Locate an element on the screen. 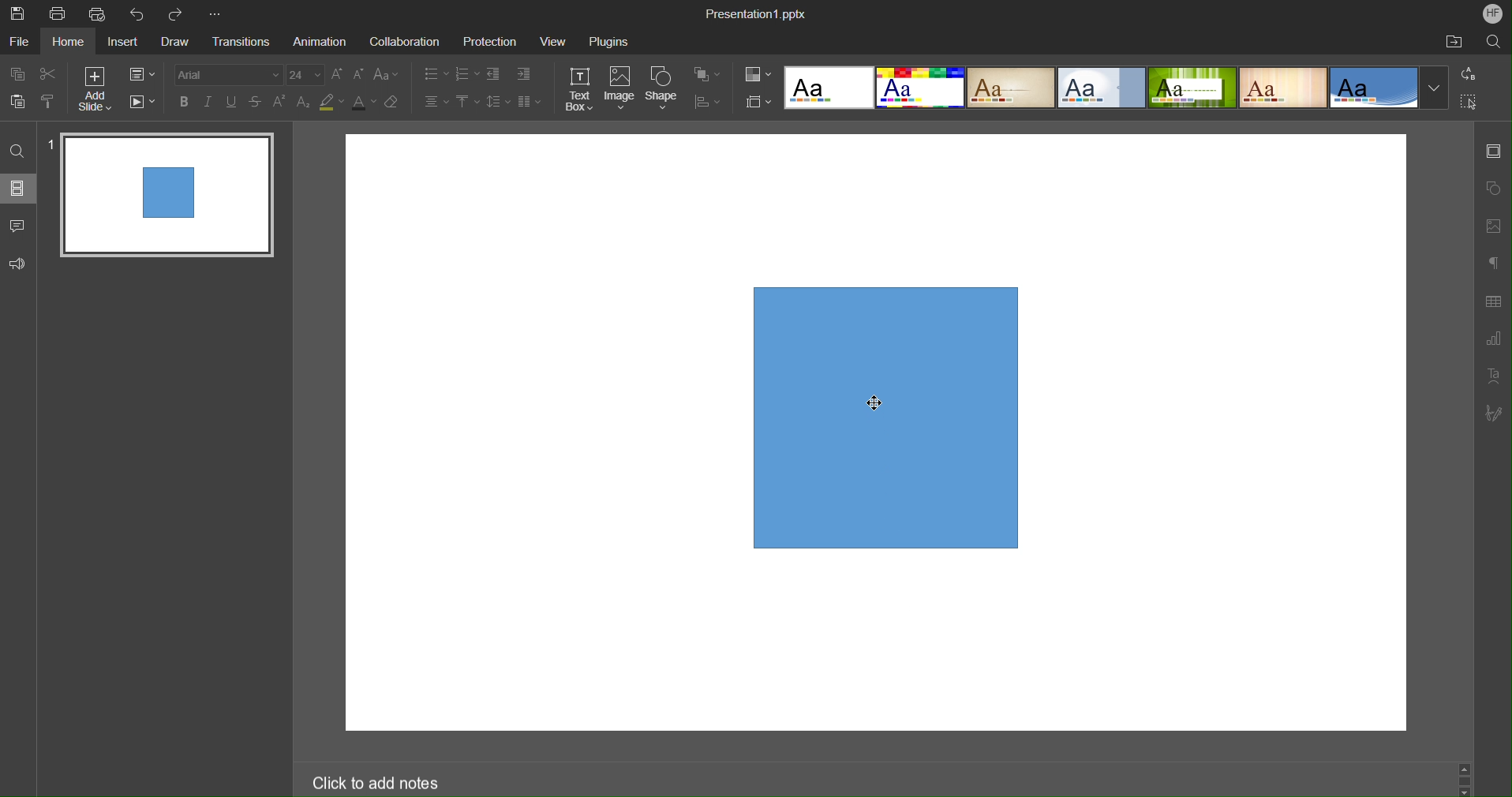 This screenshot has height=797, width=1512. Font is located at coordinates (228, 75).